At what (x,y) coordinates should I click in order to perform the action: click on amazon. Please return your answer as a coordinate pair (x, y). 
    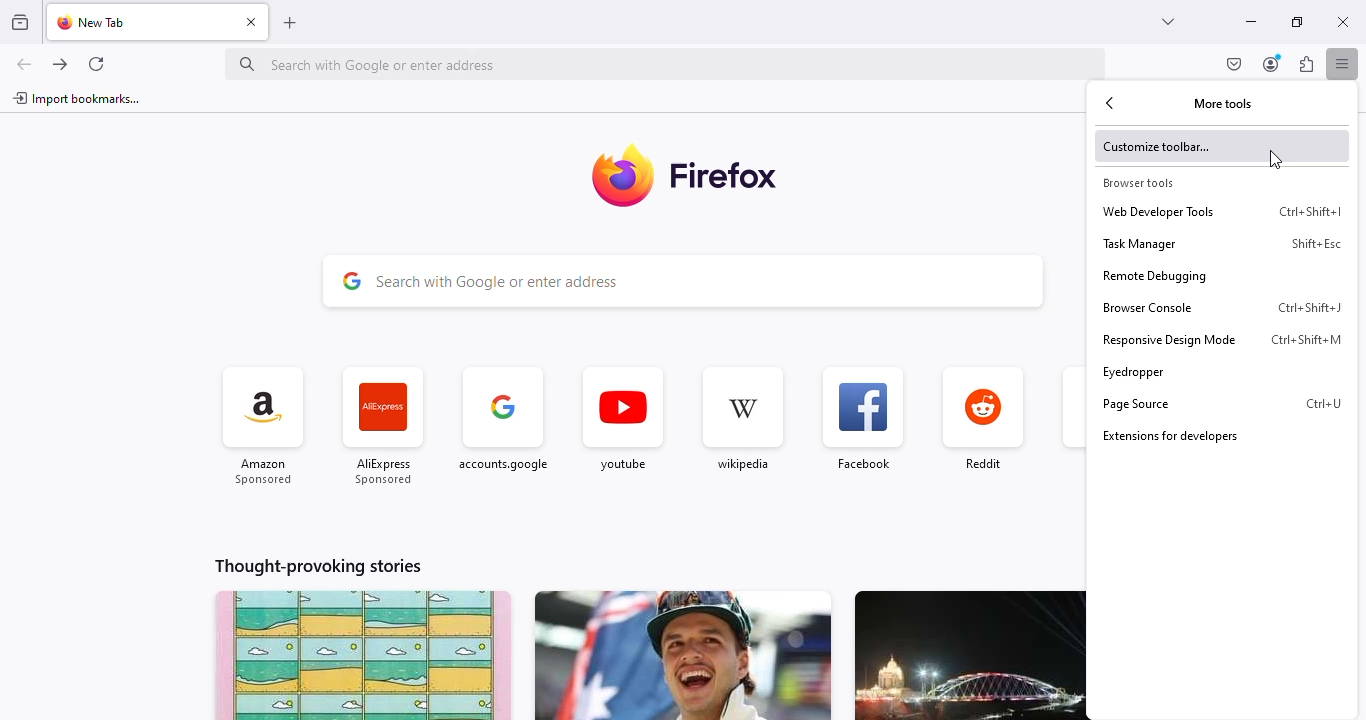
    Looking at the image, I should click on (264, 427).